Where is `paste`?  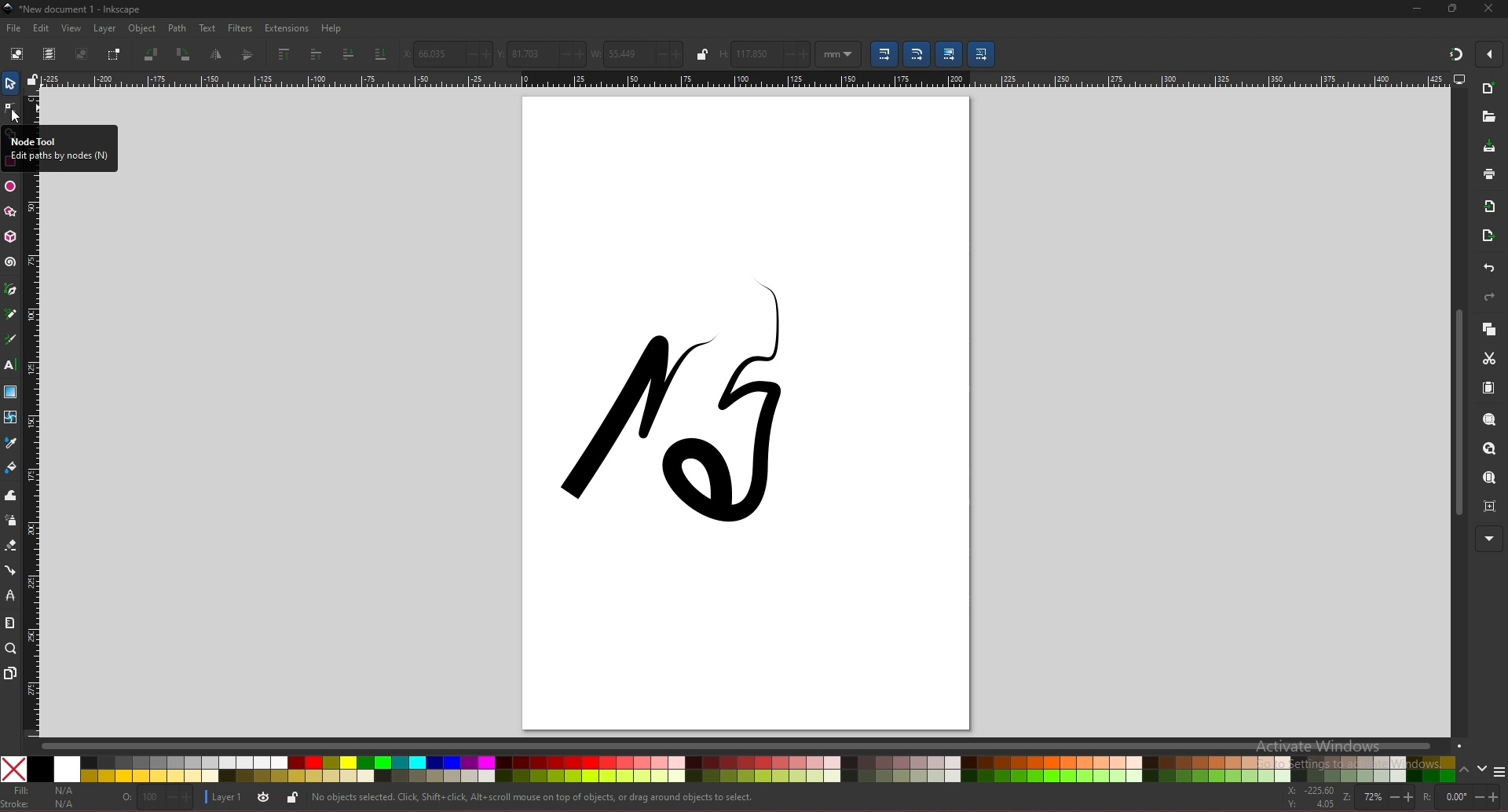
paste is located at coordinates (1488, 388).